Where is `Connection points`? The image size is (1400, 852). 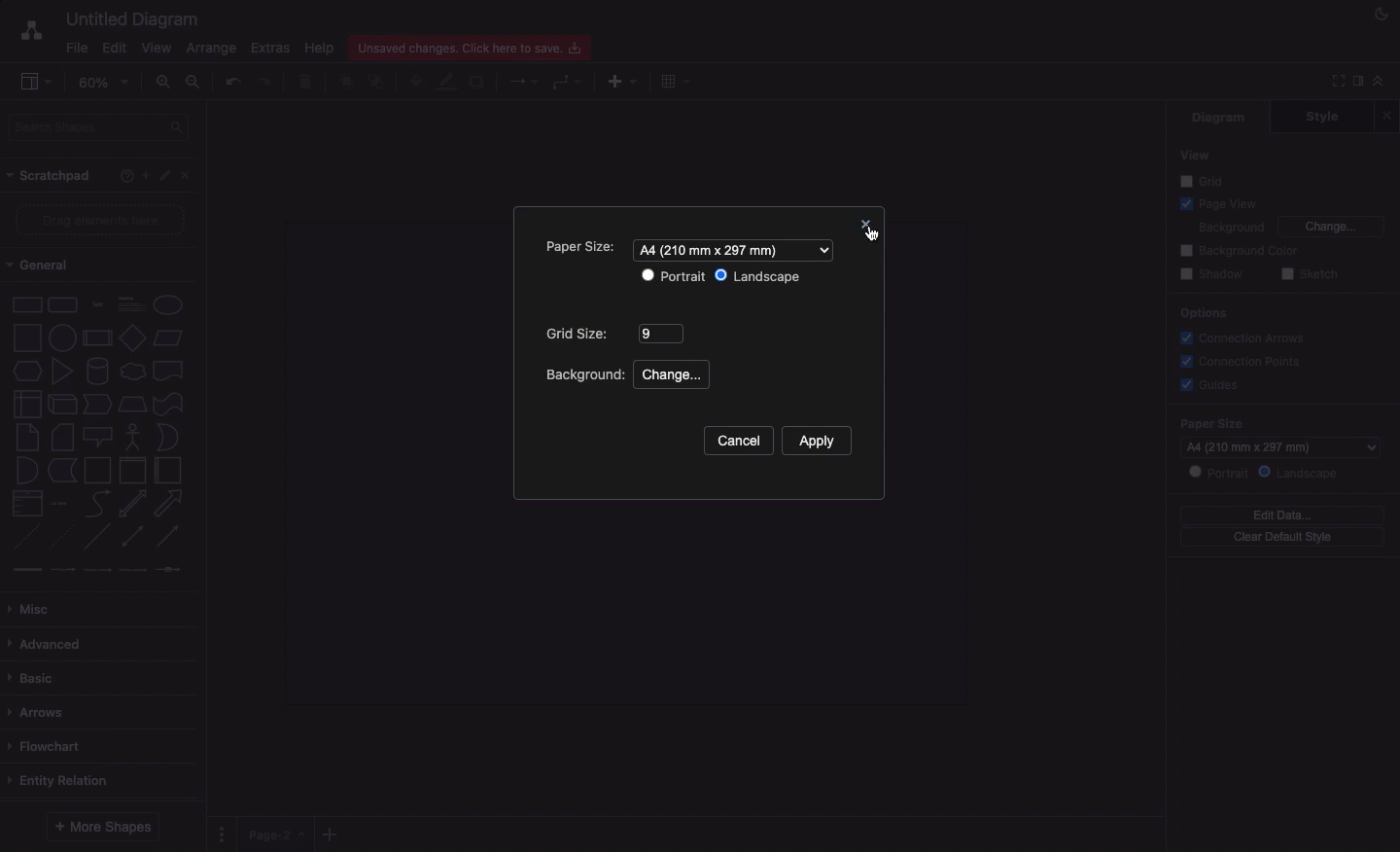
Connection points is located at coordinates (1239, 361).